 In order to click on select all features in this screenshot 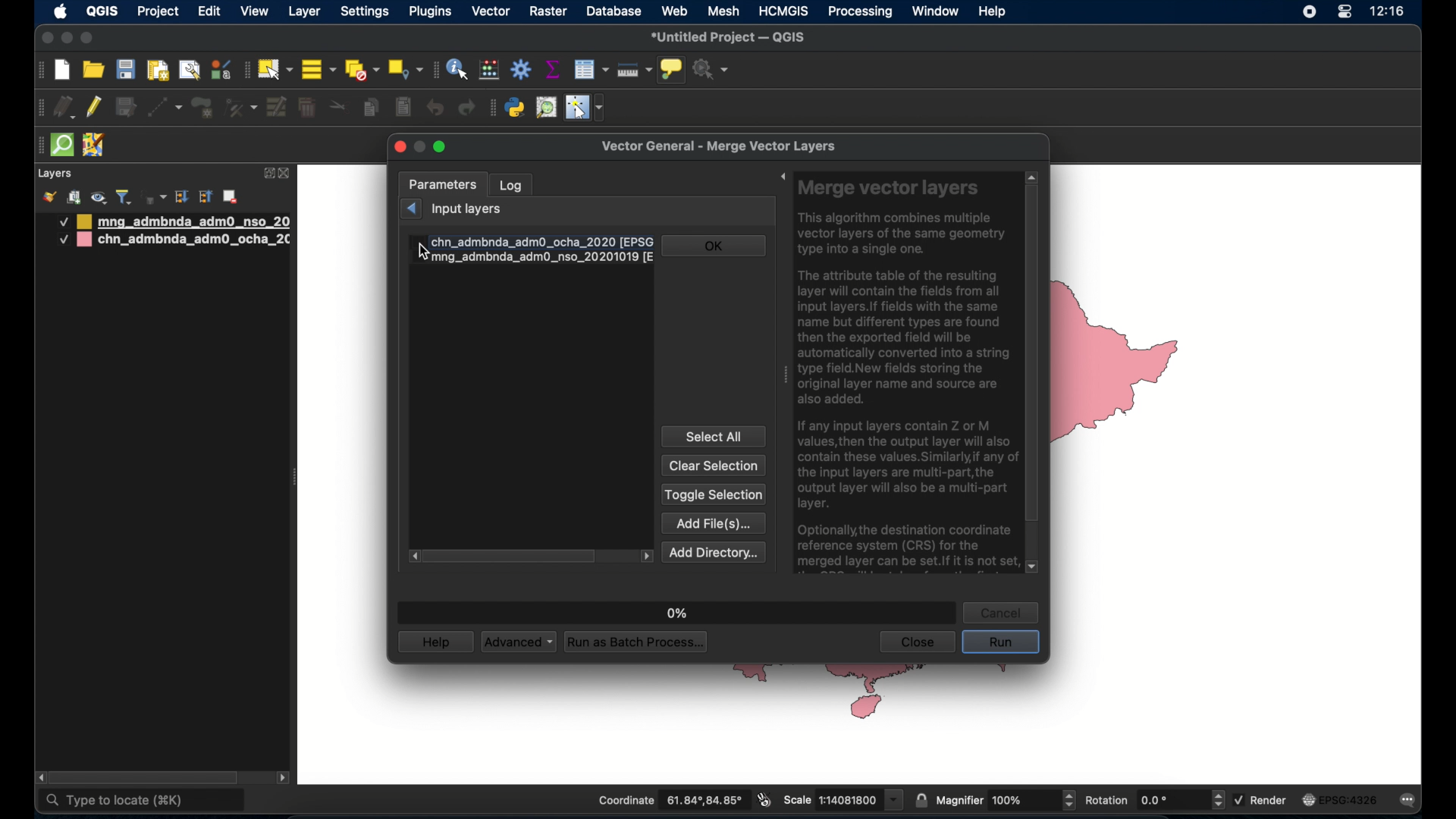, I will do `click(319, 71)`.